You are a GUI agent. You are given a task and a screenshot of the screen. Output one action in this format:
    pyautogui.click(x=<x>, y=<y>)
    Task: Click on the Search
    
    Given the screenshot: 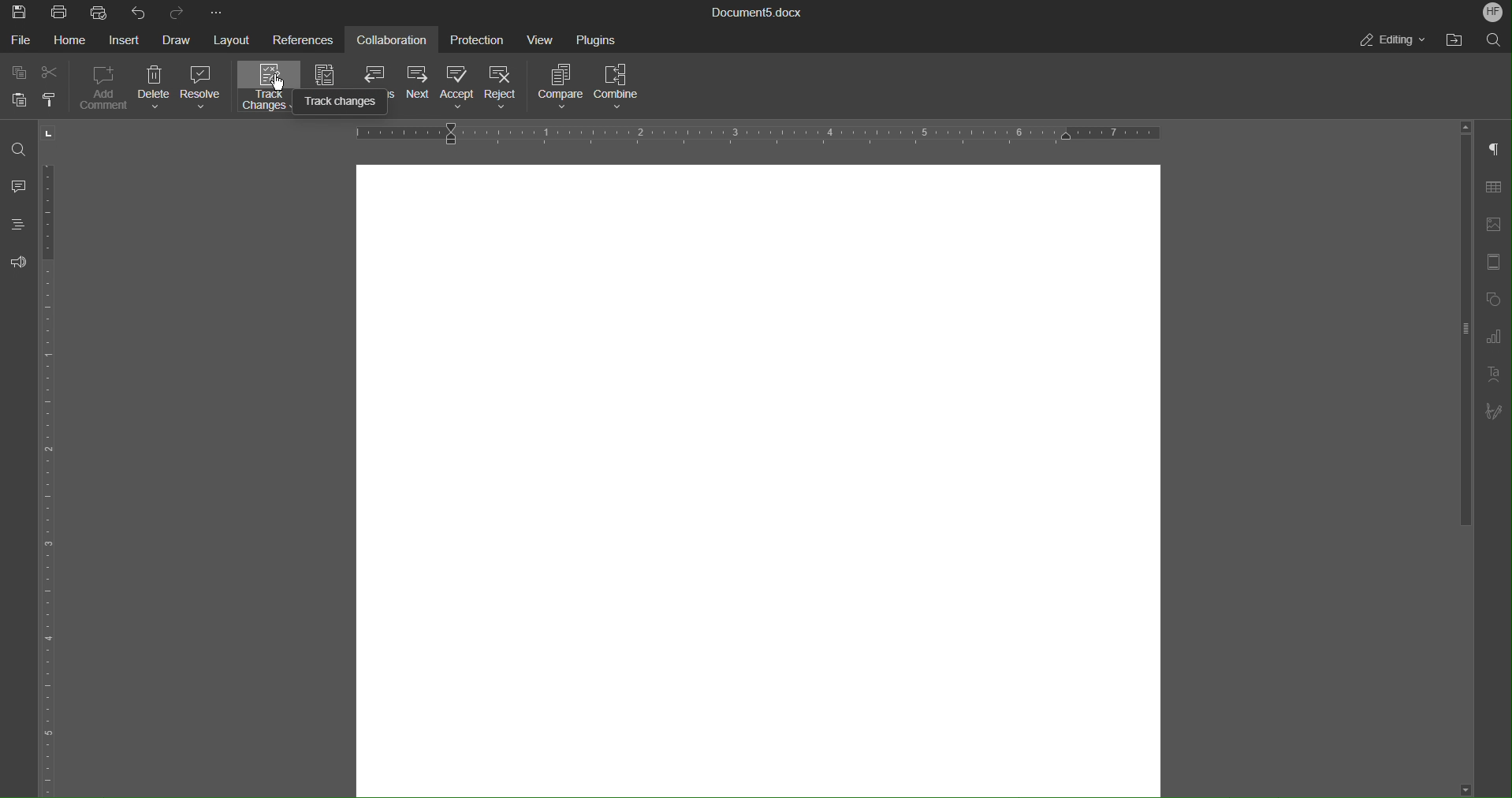 What is the action you would take?
    pyautogui.click(x=1492, y=40)
    